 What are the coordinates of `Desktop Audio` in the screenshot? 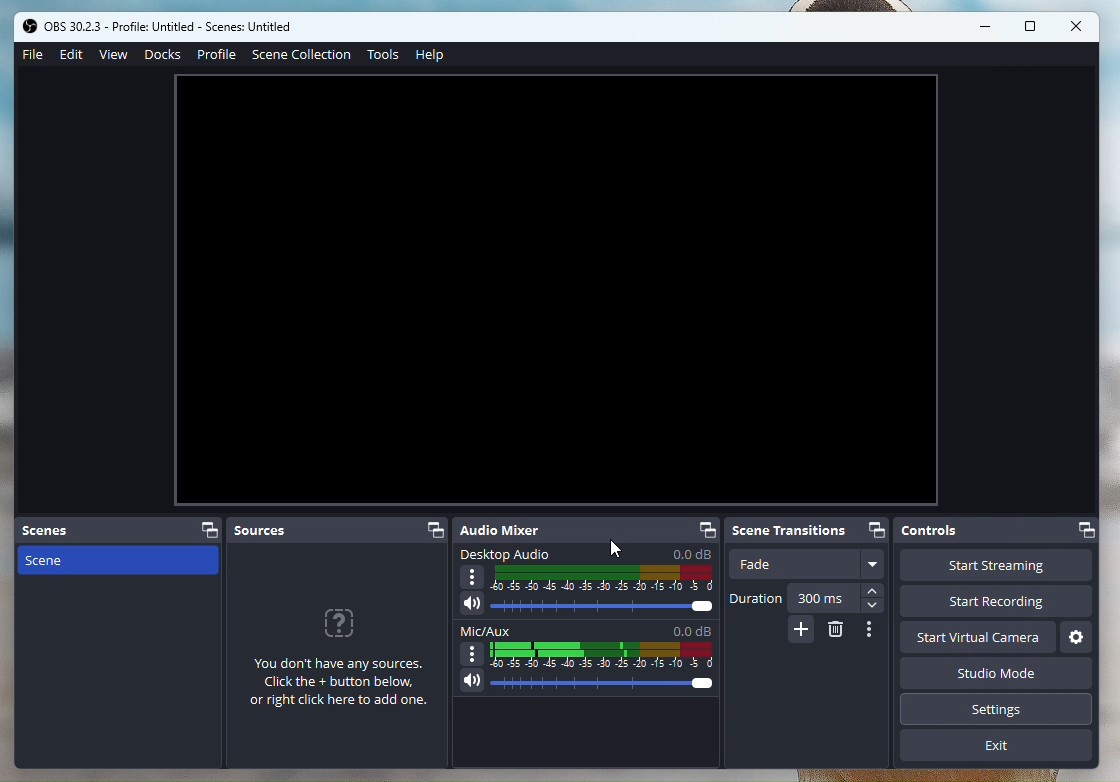 It's located at (586, 582).